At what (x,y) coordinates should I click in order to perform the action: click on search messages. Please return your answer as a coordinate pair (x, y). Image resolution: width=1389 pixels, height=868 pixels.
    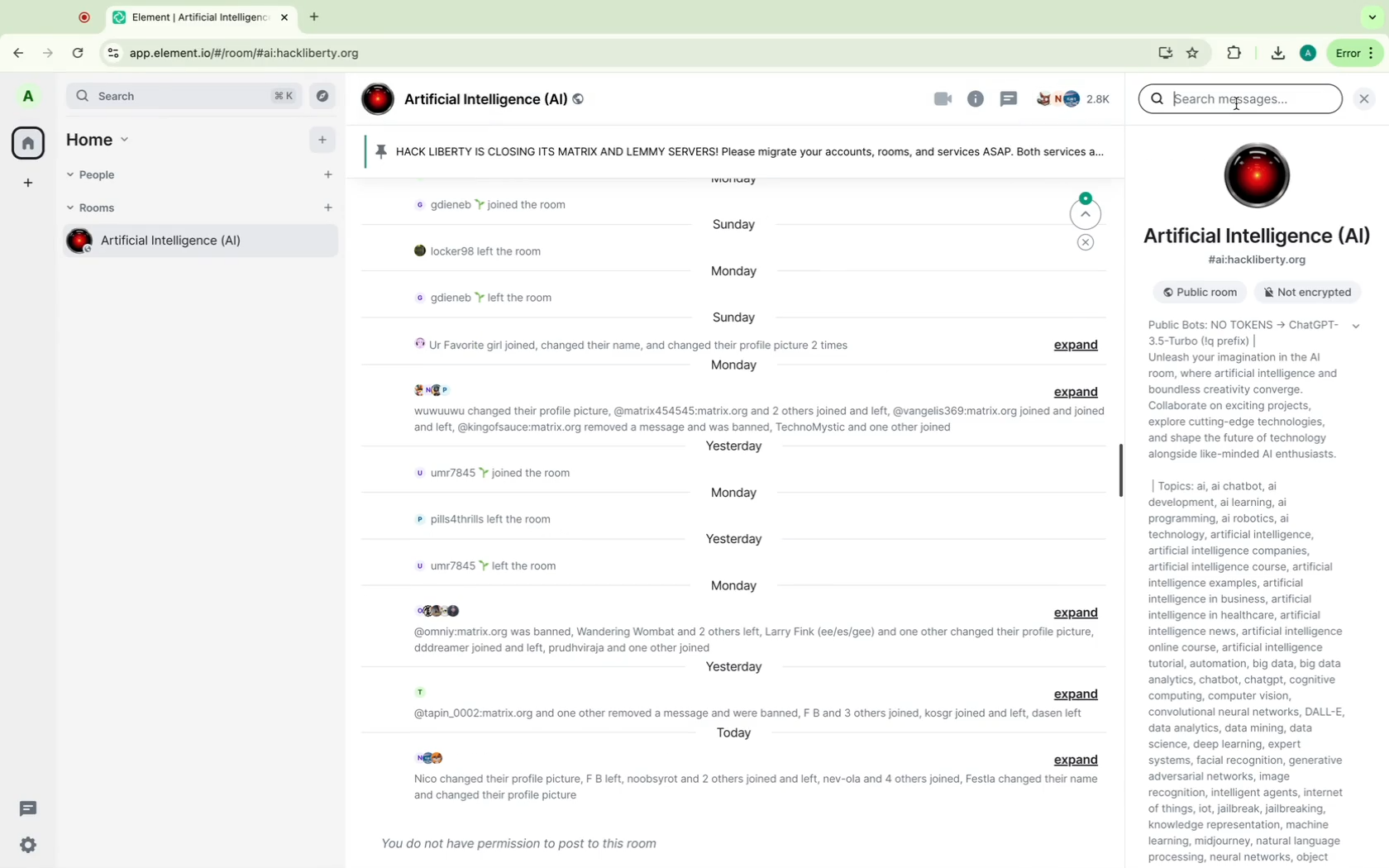
    Looking at the image, I should click on (1240, 99).